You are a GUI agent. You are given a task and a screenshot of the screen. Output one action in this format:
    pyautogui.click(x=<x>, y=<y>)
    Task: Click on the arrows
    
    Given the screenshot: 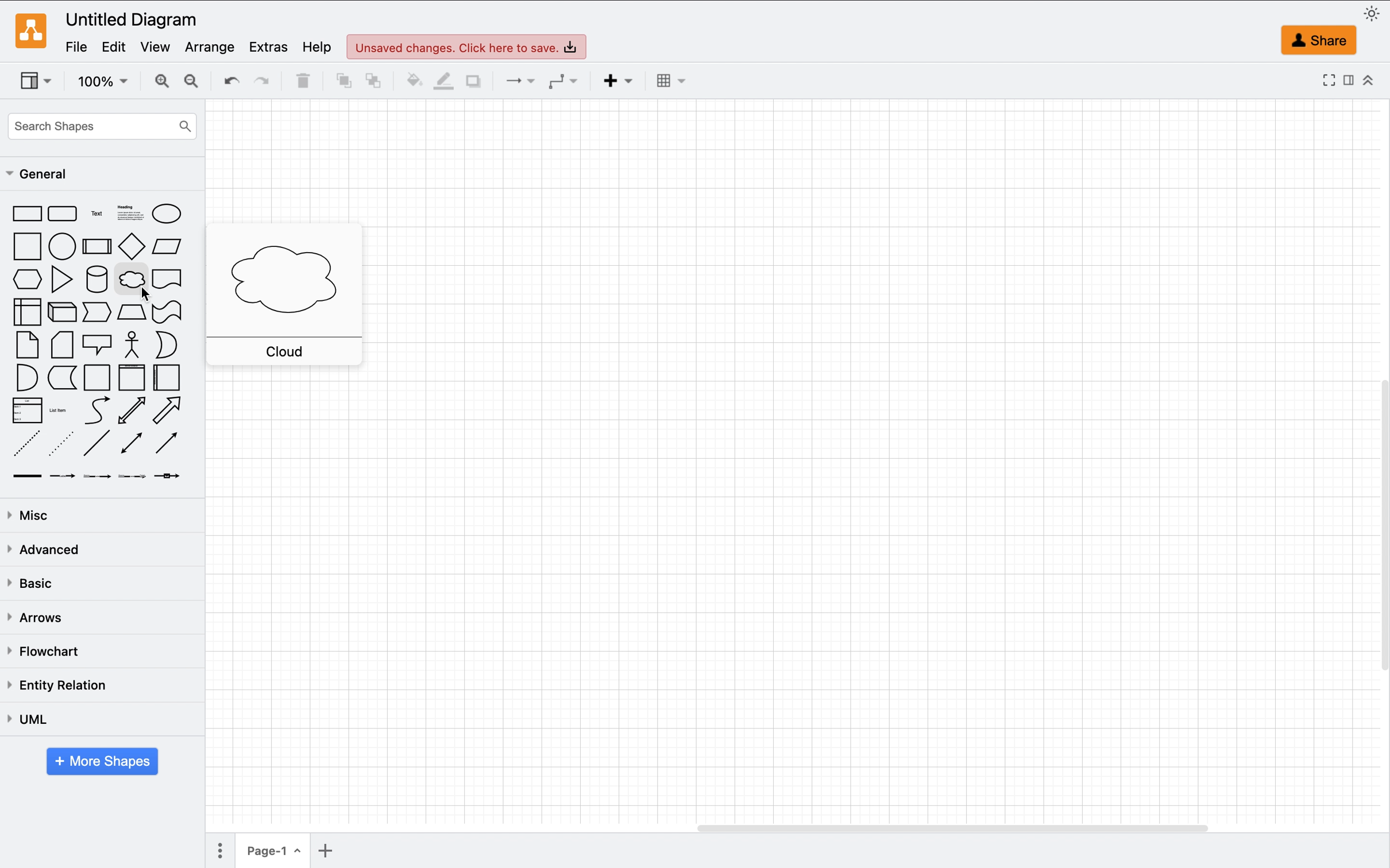 What is the action you would take?
    pyautogui.click(x=40, y=621)
    